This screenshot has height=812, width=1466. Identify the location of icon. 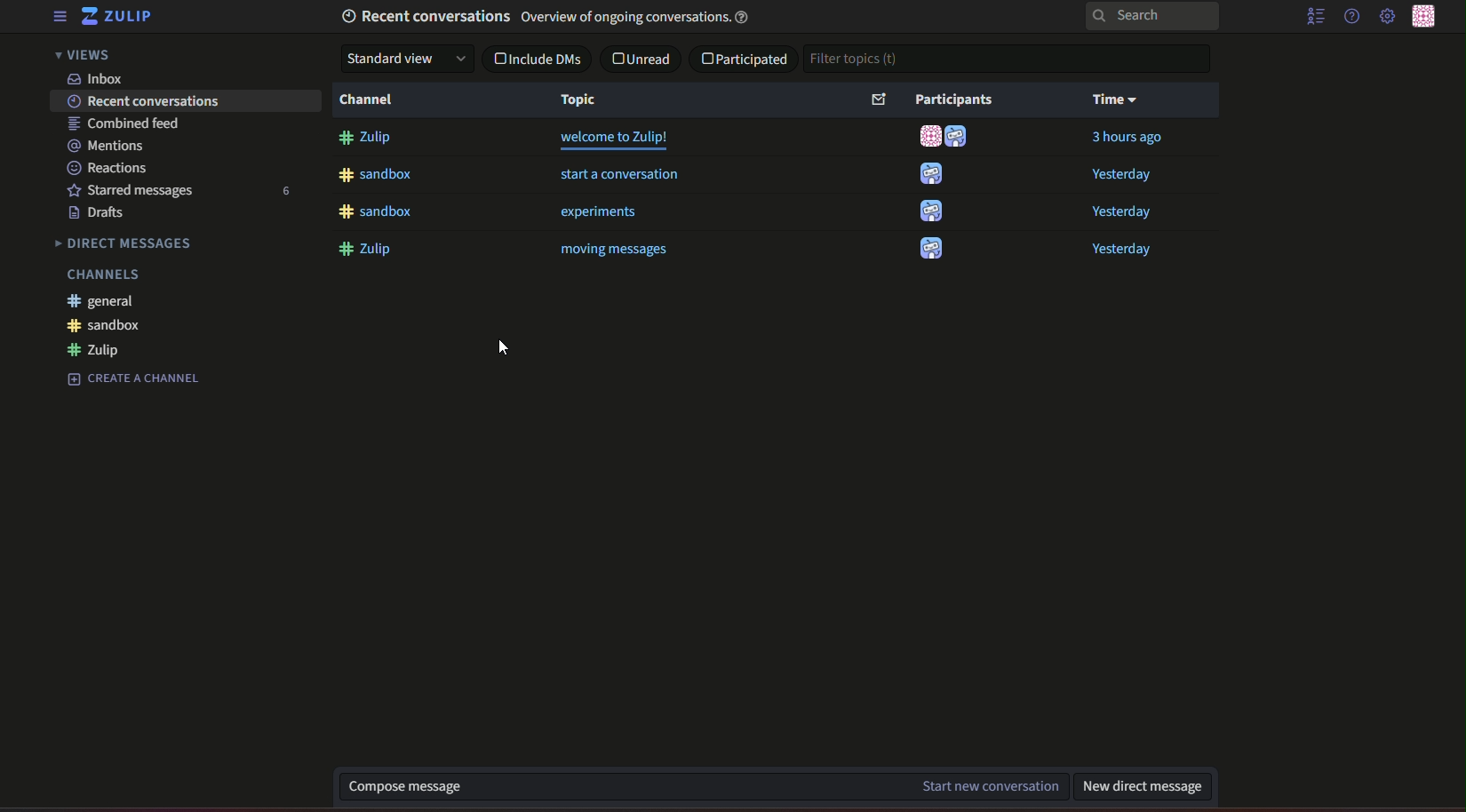
(930, 251).